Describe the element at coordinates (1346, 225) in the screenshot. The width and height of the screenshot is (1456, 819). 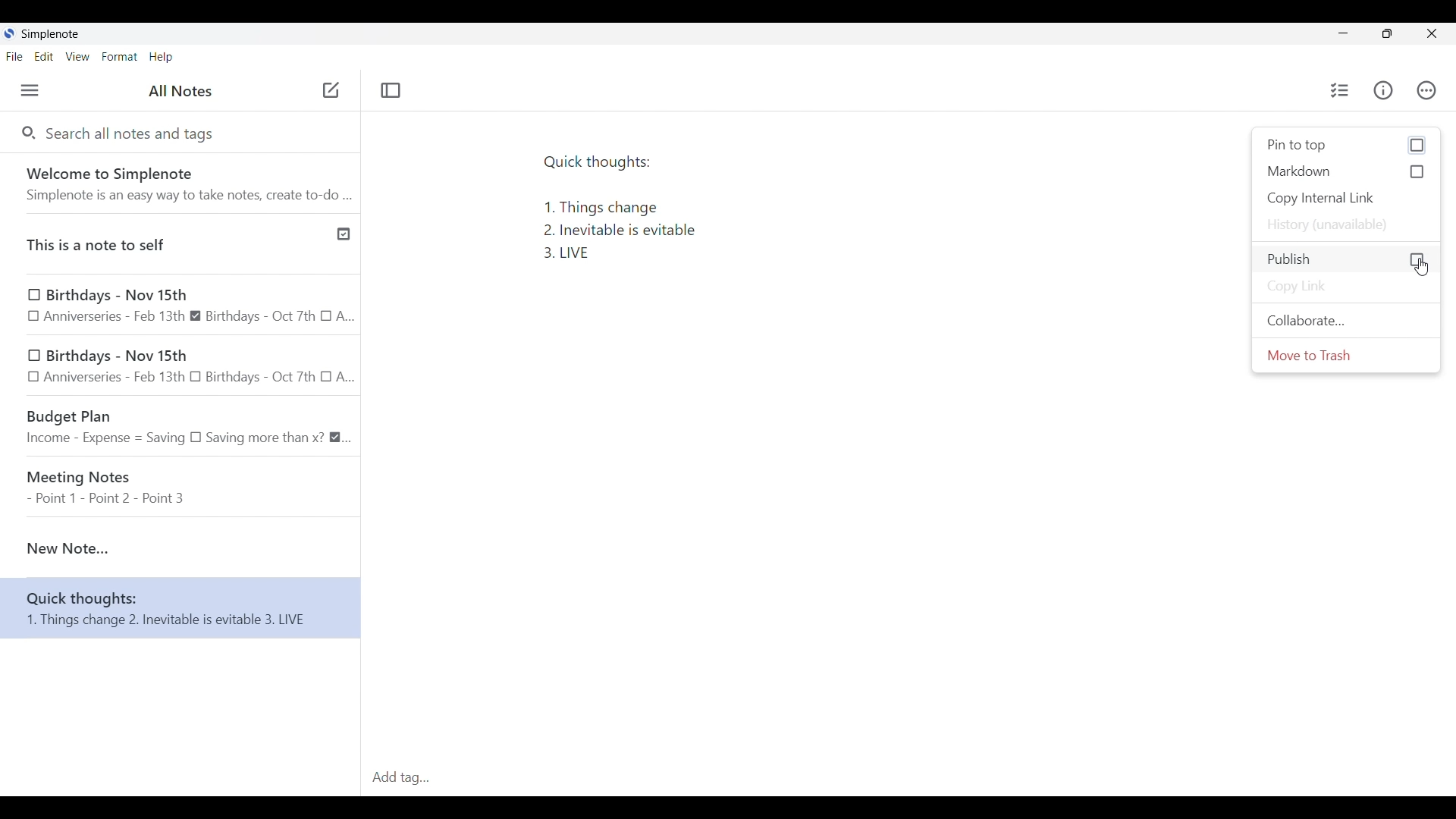
I see `History` at that location.